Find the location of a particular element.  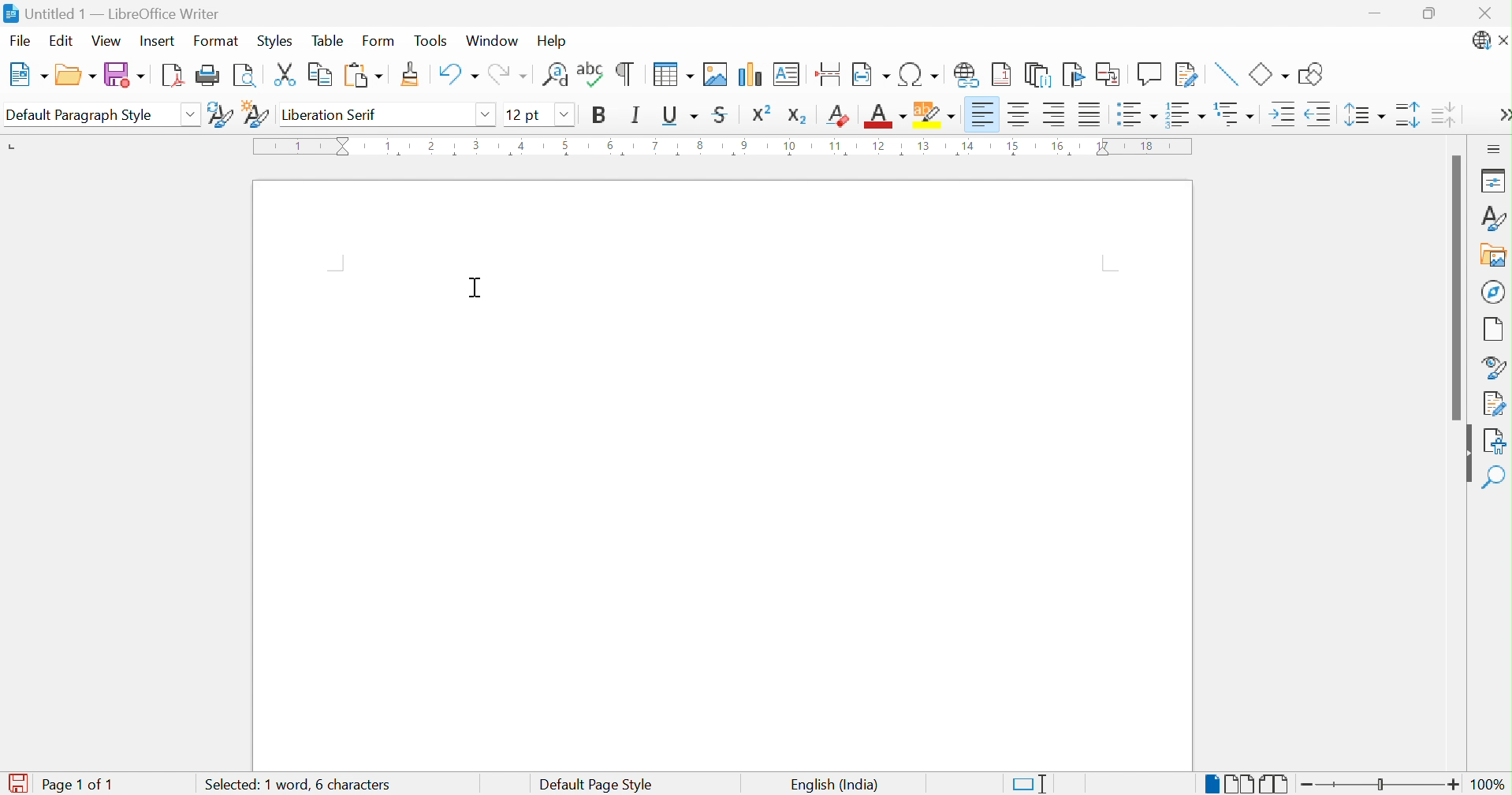

Increase Indent is located at coordinates (1279, 114).